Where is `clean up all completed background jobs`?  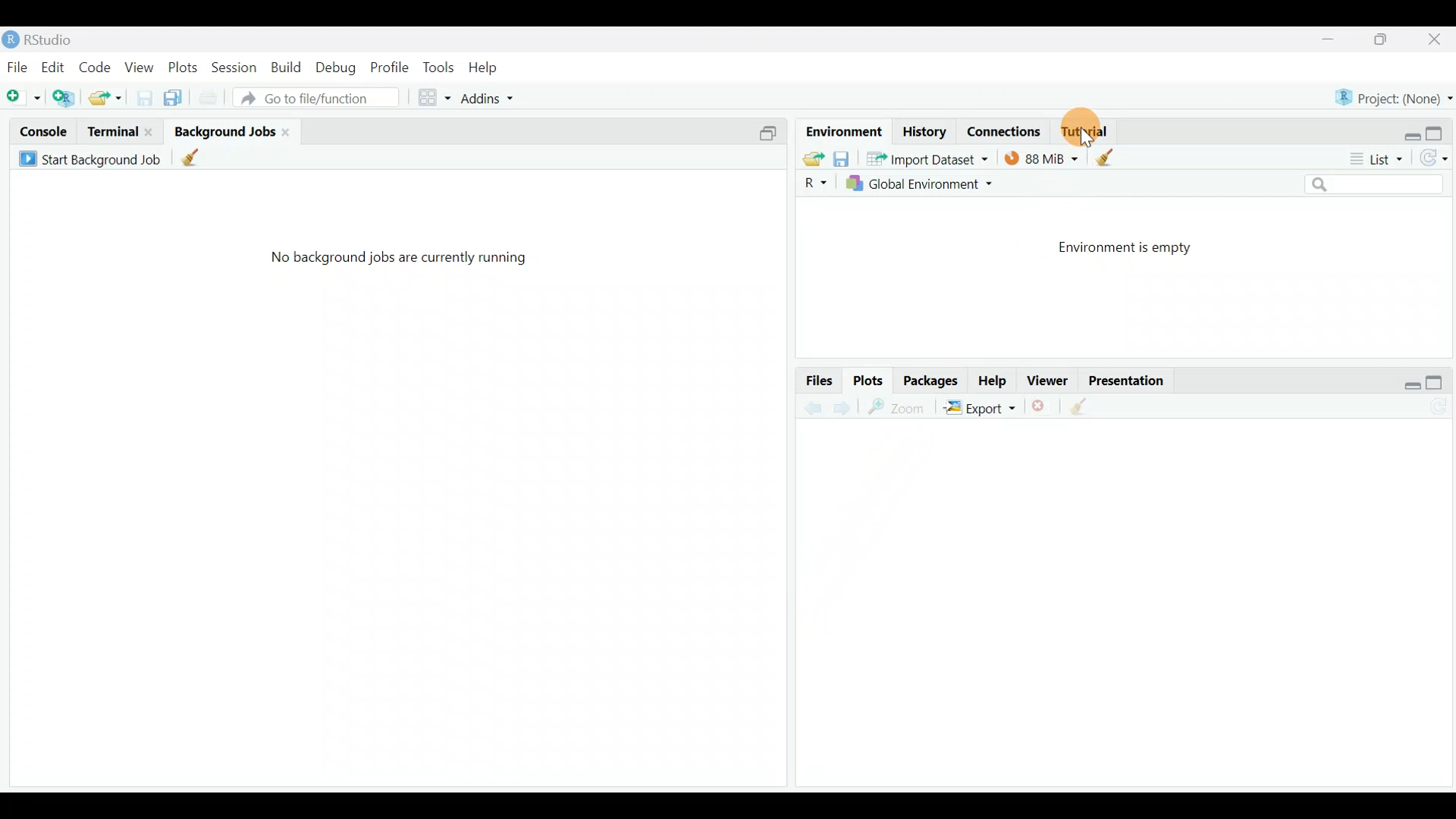
clean up all completed background jobs is located at coordinates (199, 160).